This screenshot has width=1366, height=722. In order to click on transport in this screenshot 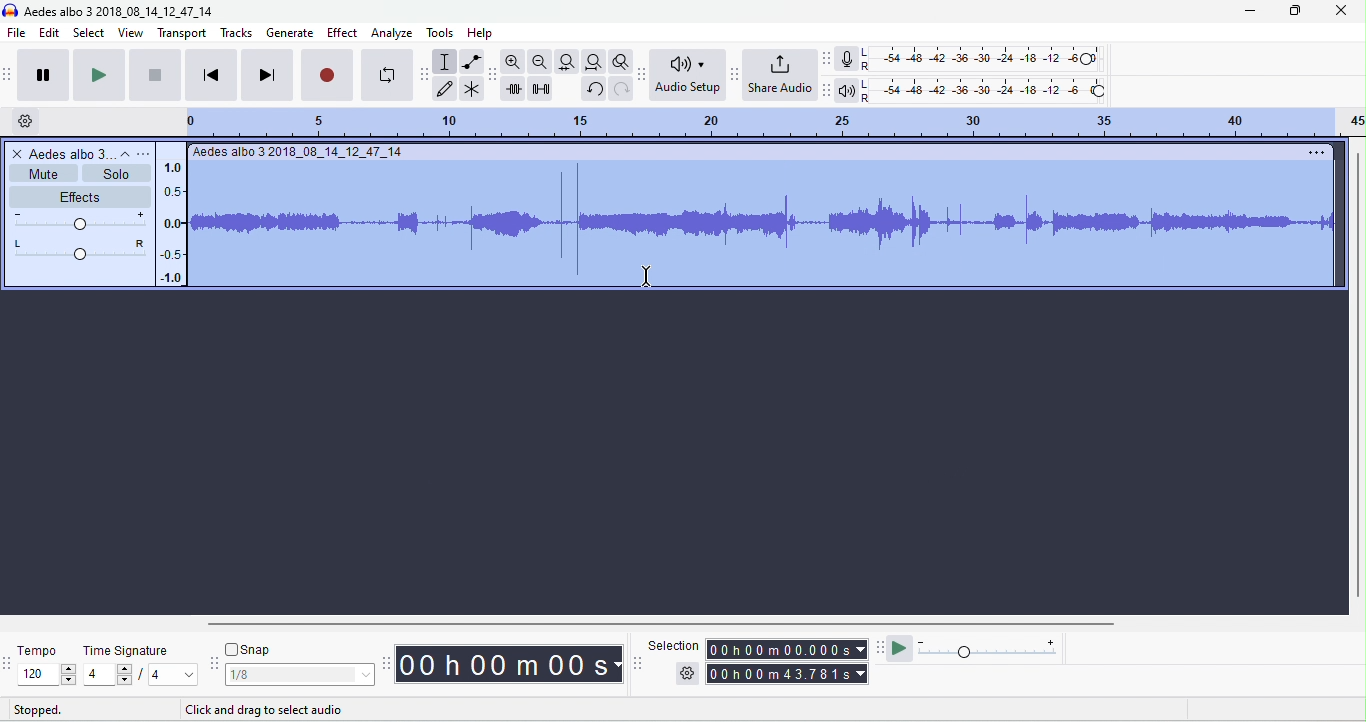, I will do `click(180, 33)`.